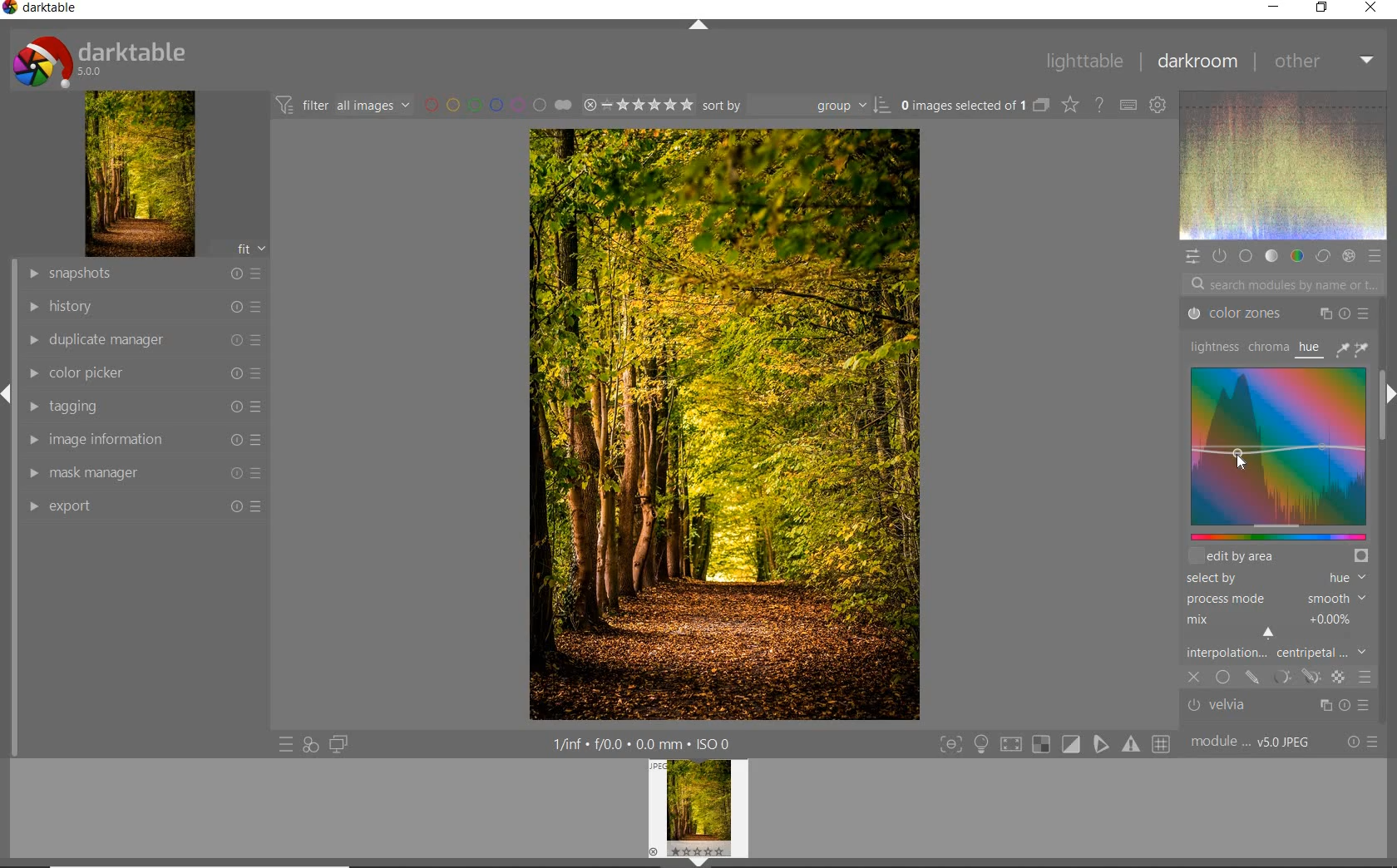 This screenshot has width=1397, height=868. Describe the element at coordinates (1376, 8) in the screenshot. I see `CLOSE` at that location.